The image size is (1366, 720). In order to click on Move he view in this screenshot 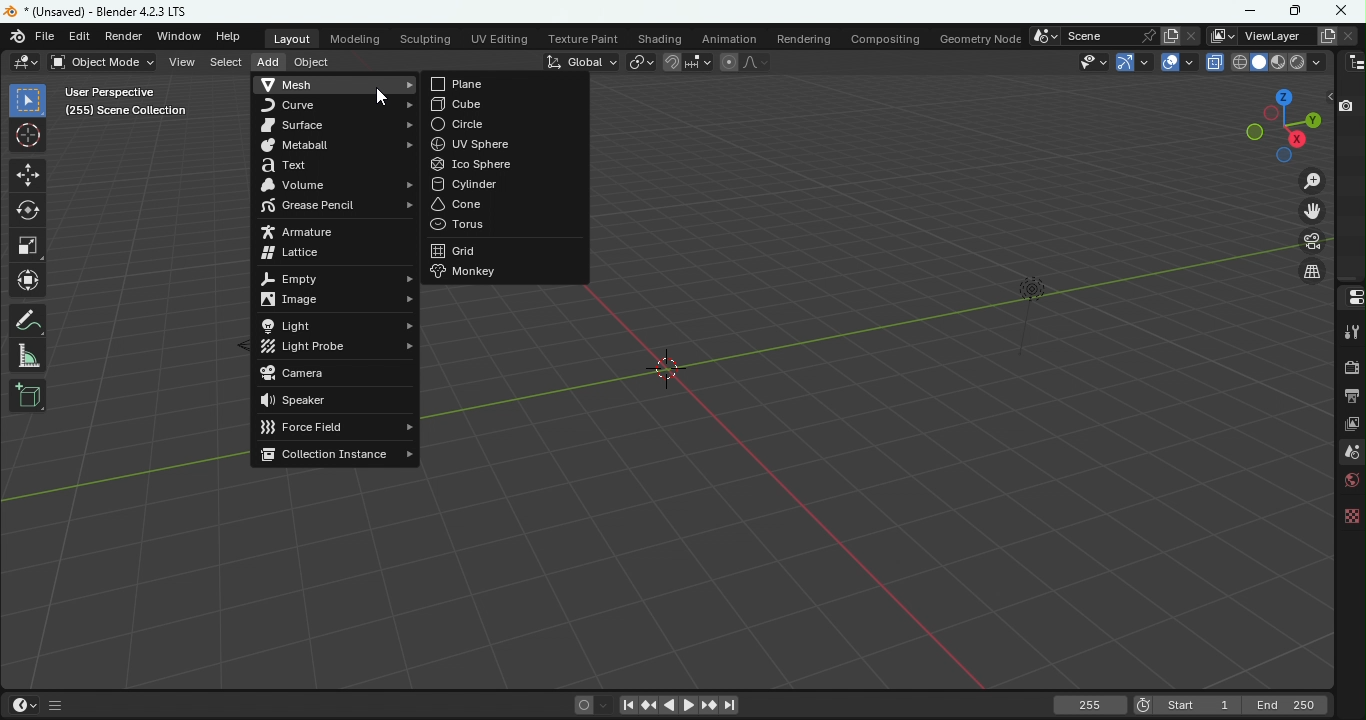, I will do `click(1313, 211)`.